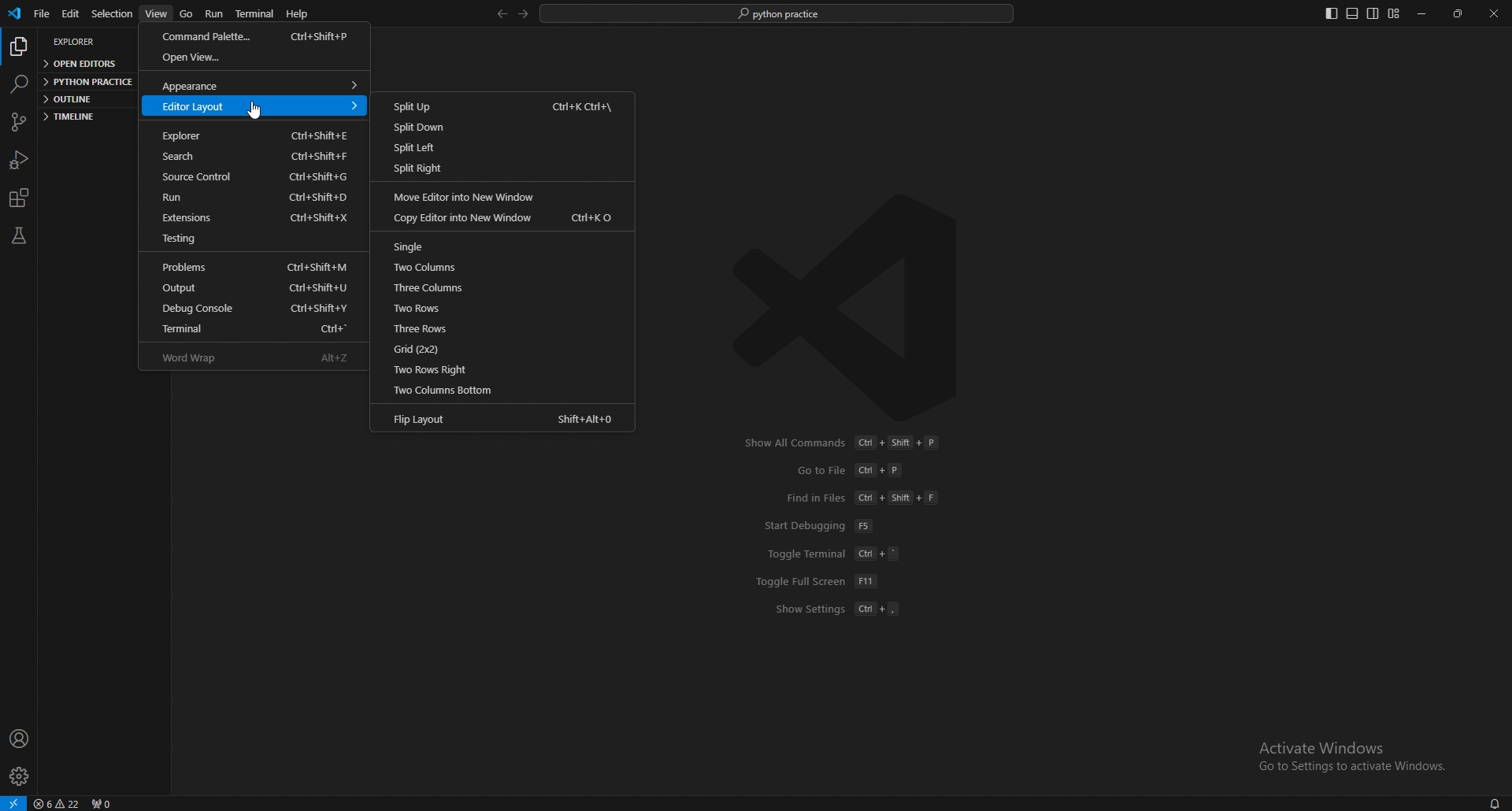  Describe the element at coordinates (252, 135) in the screenshot. I see `explorer ctrl+shift+e` at that location.